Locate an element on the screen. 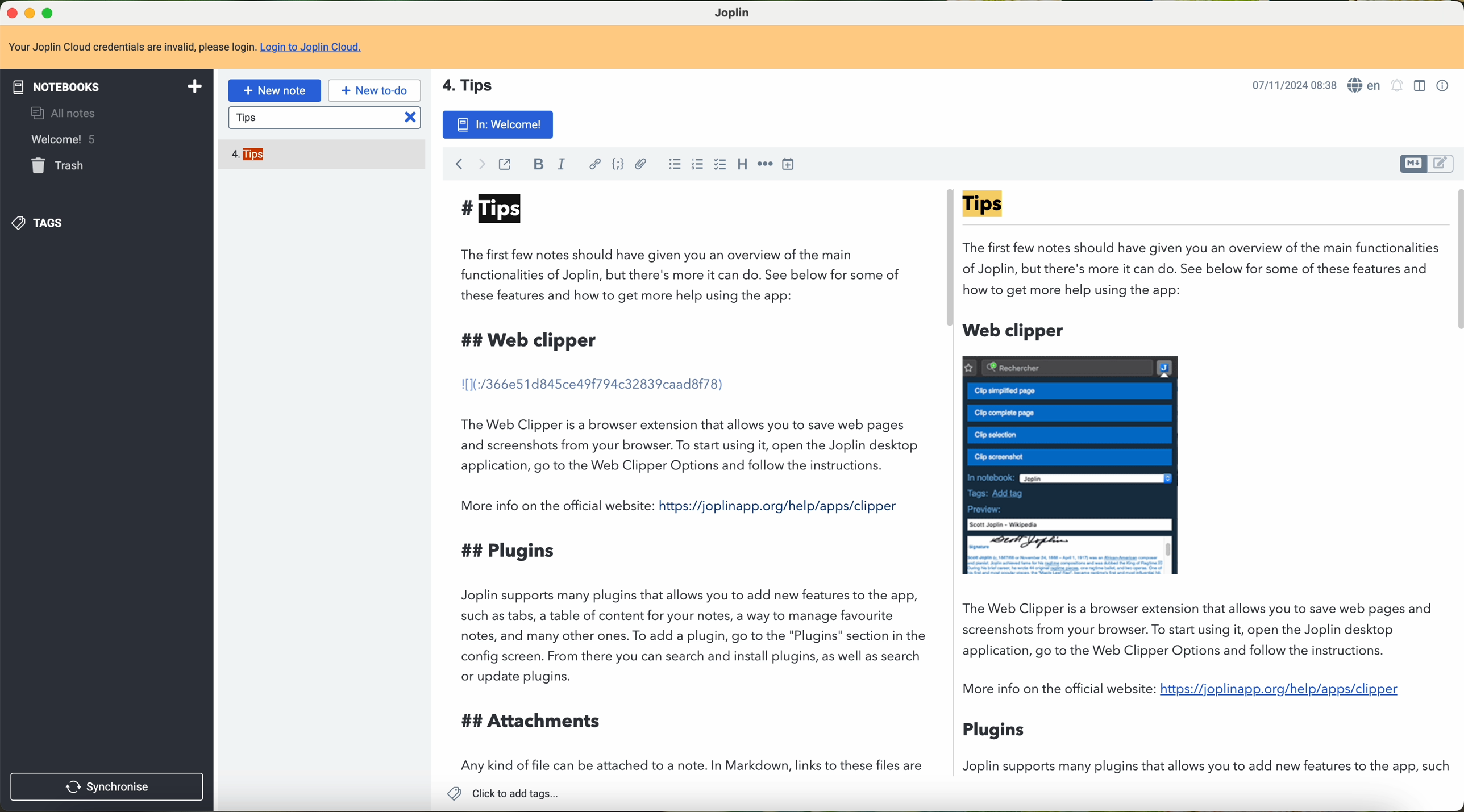 The width and height of the screenshot is (1464, 812). note properties is located at coordinates (1444, 85).